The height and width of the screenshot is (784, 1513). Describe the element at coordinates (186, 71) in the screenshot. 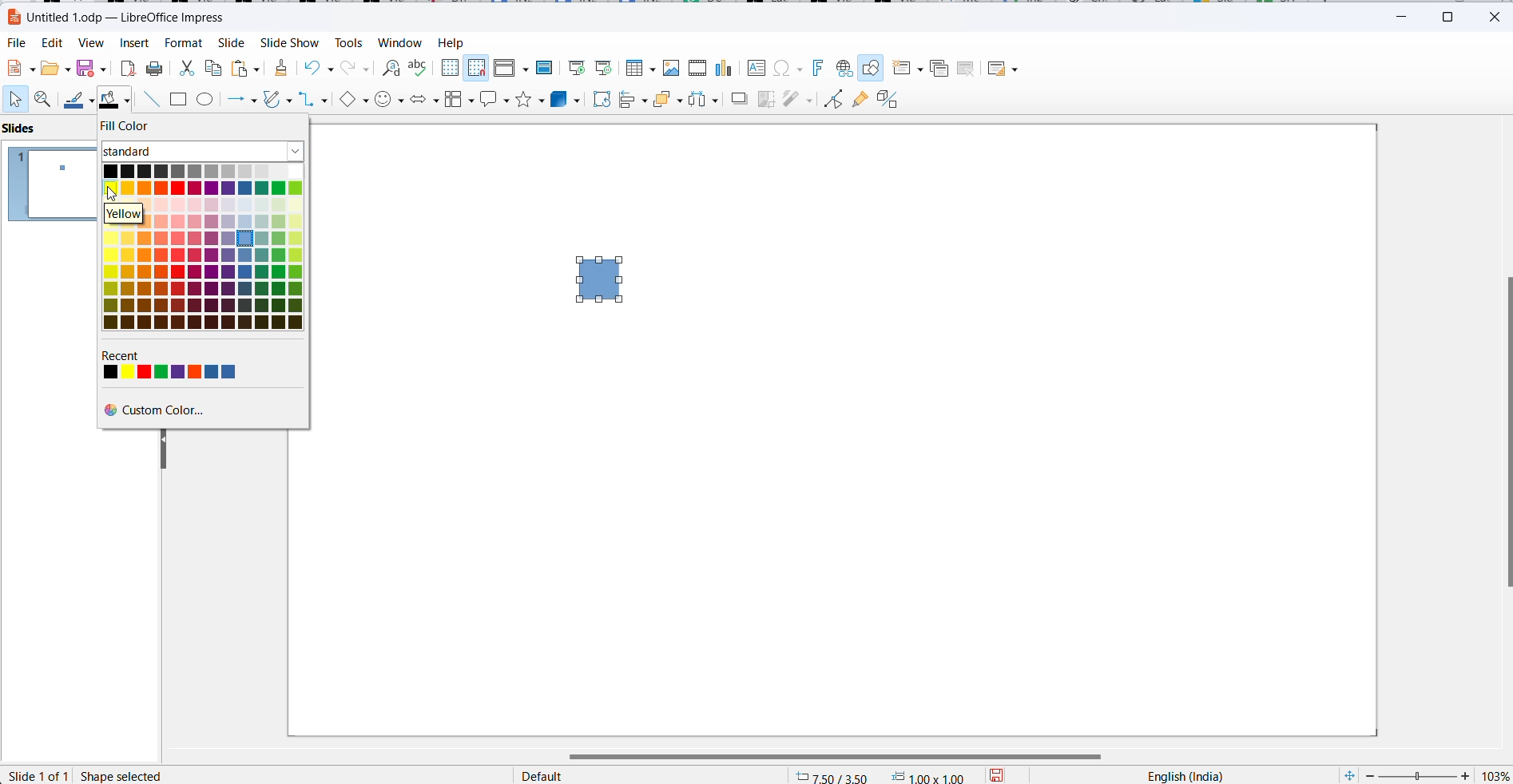

I see `cut` at that location.